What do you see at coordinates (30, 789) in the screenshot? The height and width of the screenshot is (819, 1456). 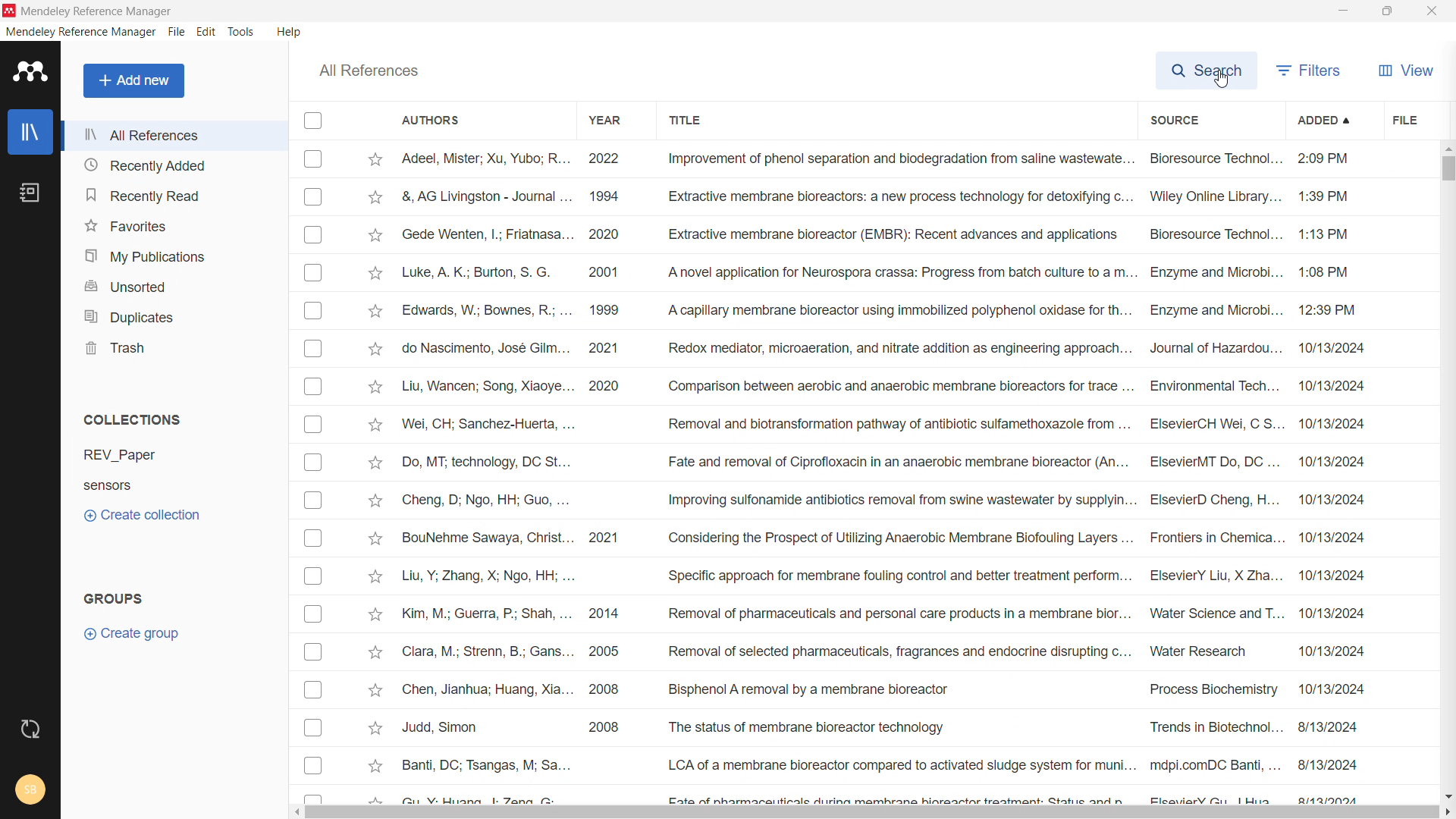 I see `account and help` at bounding box center [30, 789].